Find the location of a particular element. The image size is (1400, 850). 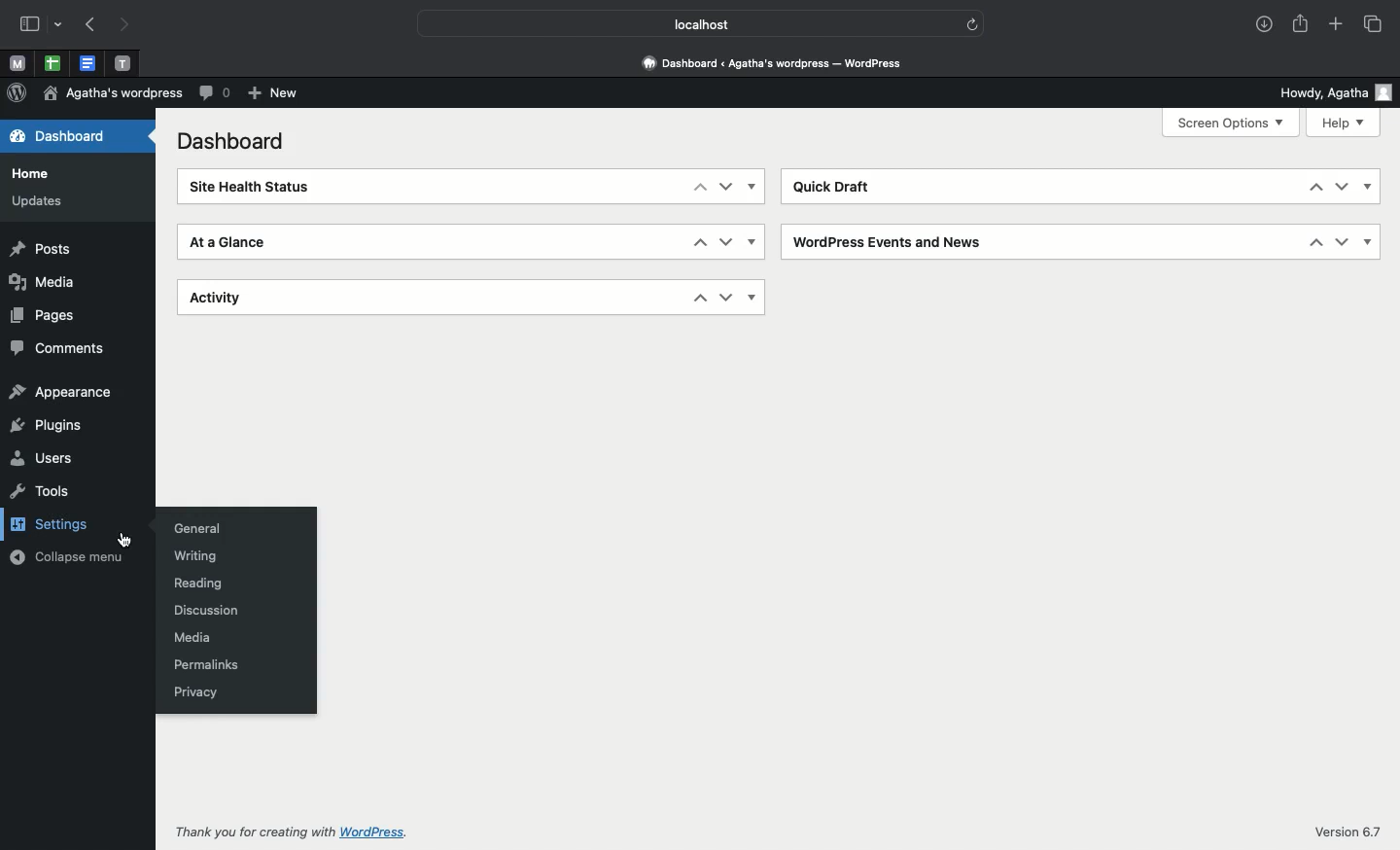

Sidebar is located at coordinates (29, 25).